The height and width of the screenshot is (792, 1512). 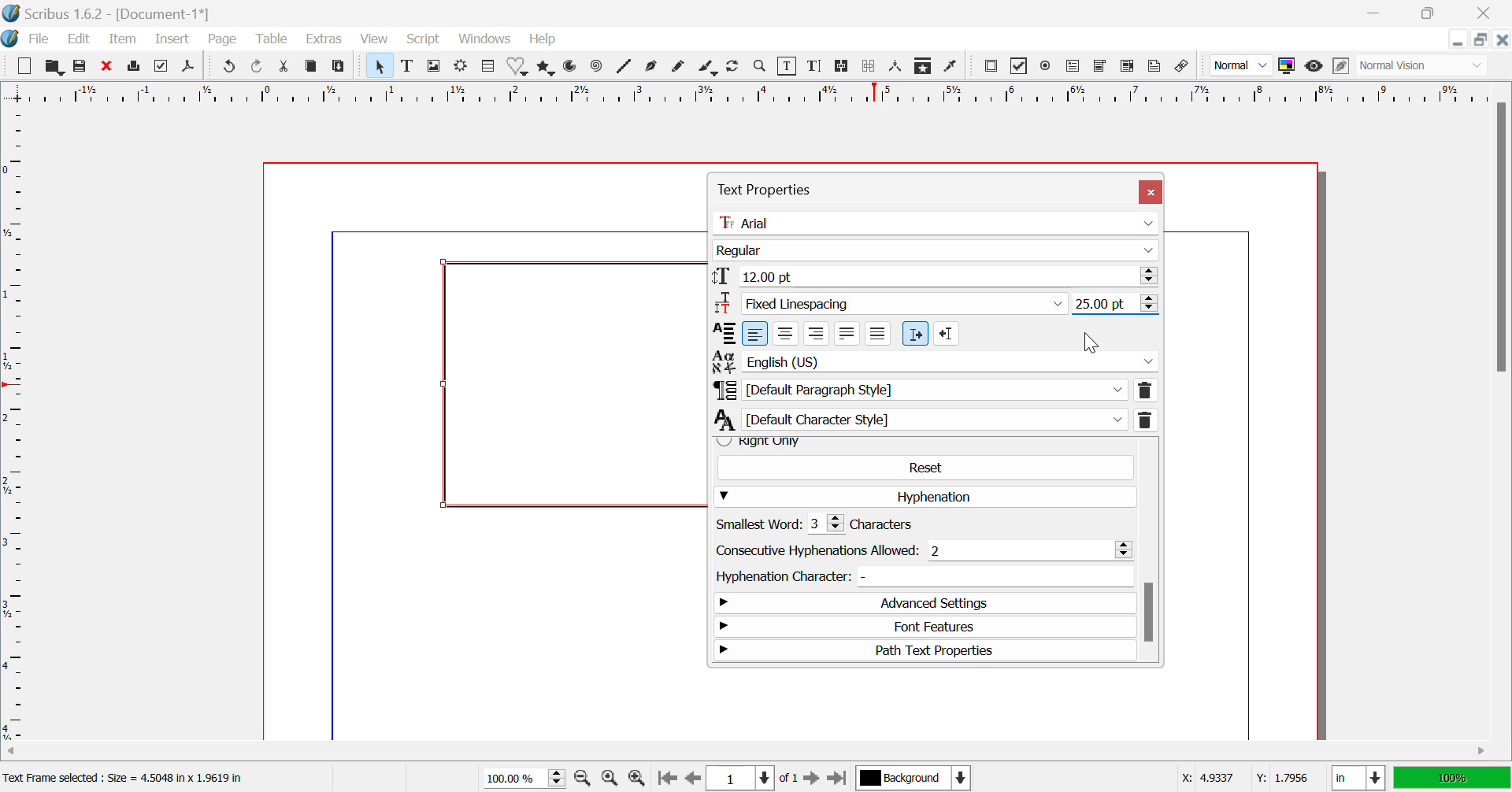 I want to click on Text Annotation, so click(x=1156, y=67).